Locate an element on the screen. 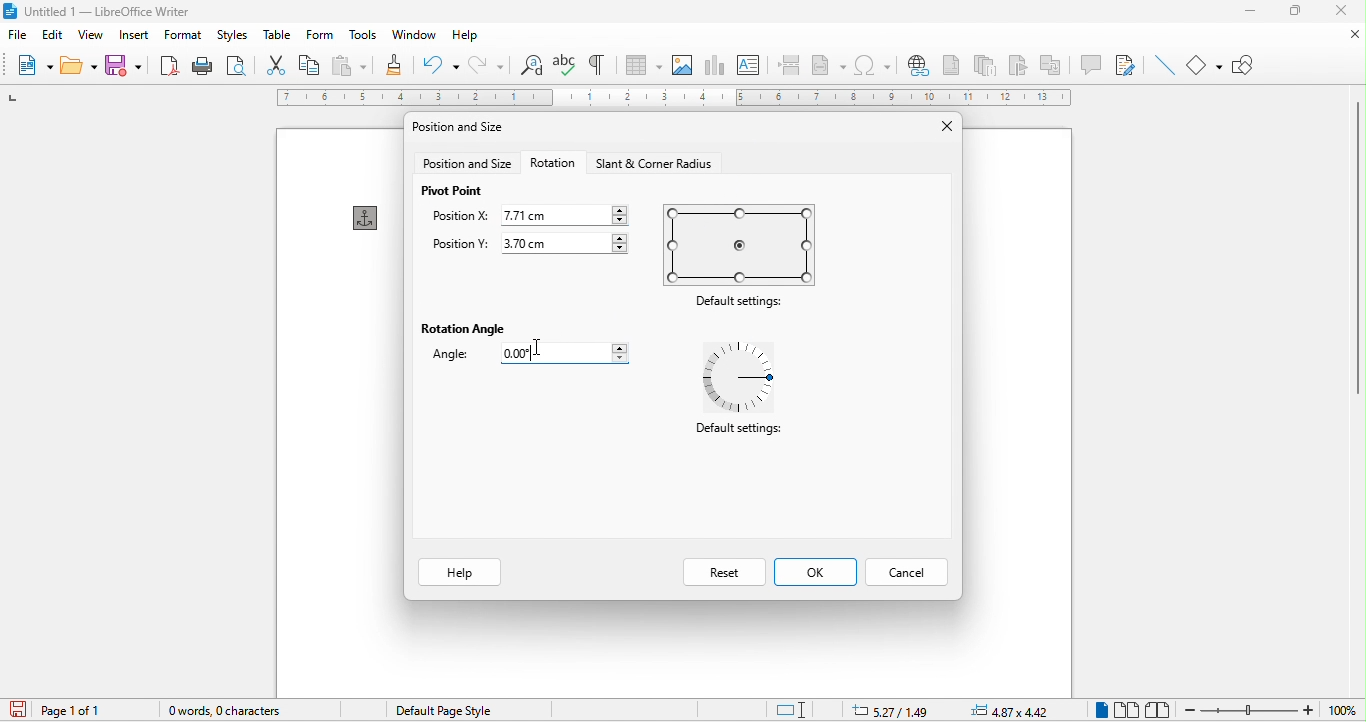 Image resolution: width=1366 pixels, height=722 pixels. untitied | — Libreoffice writer is located at coordinates (124, 12).